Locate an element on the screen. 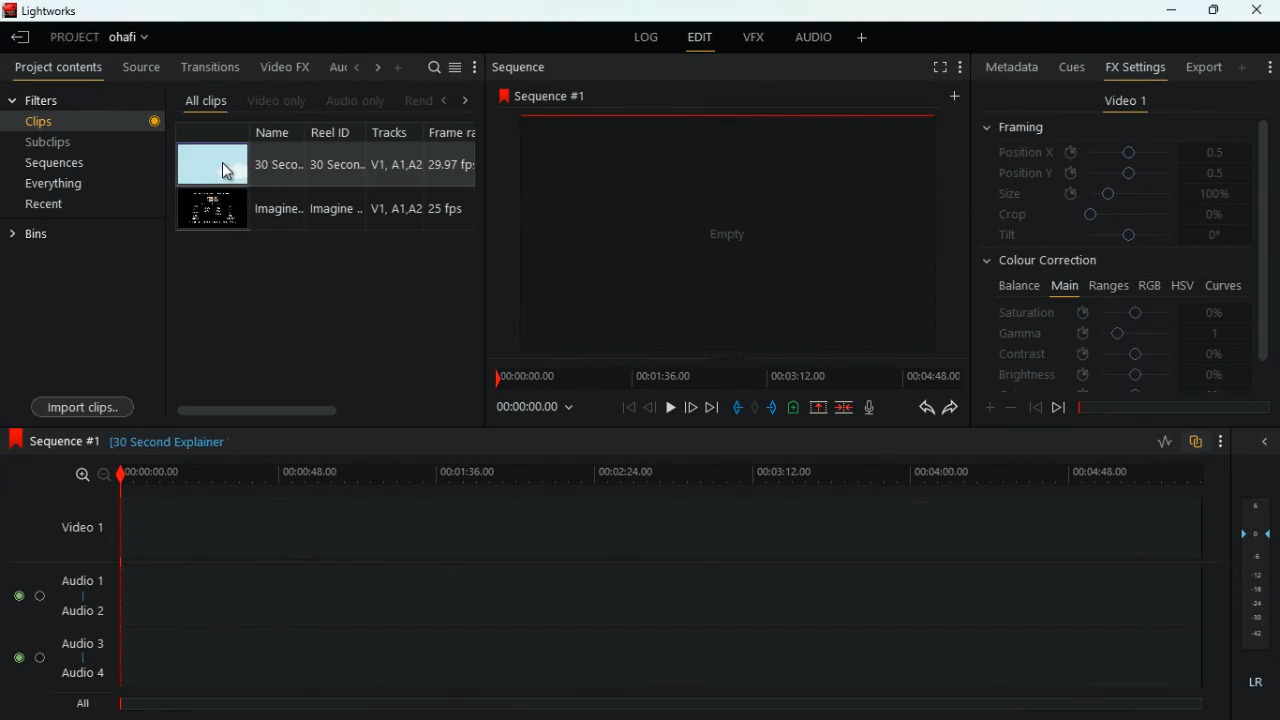 The image size is (1280, 720). front is located at coordinates (692, 407).